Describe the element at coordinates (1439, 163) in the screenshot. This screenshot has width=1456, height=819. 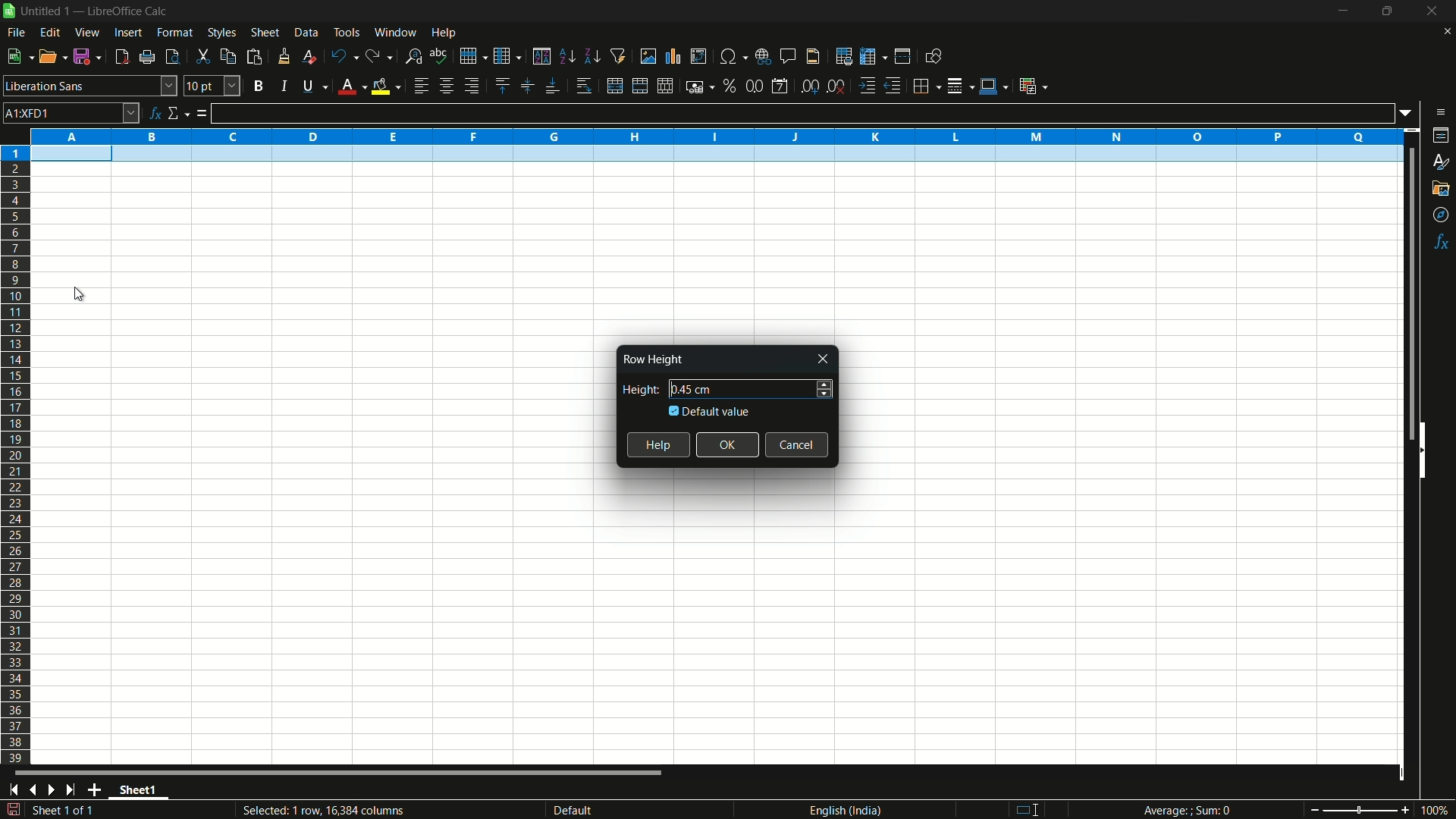
I see `styles` at that location.